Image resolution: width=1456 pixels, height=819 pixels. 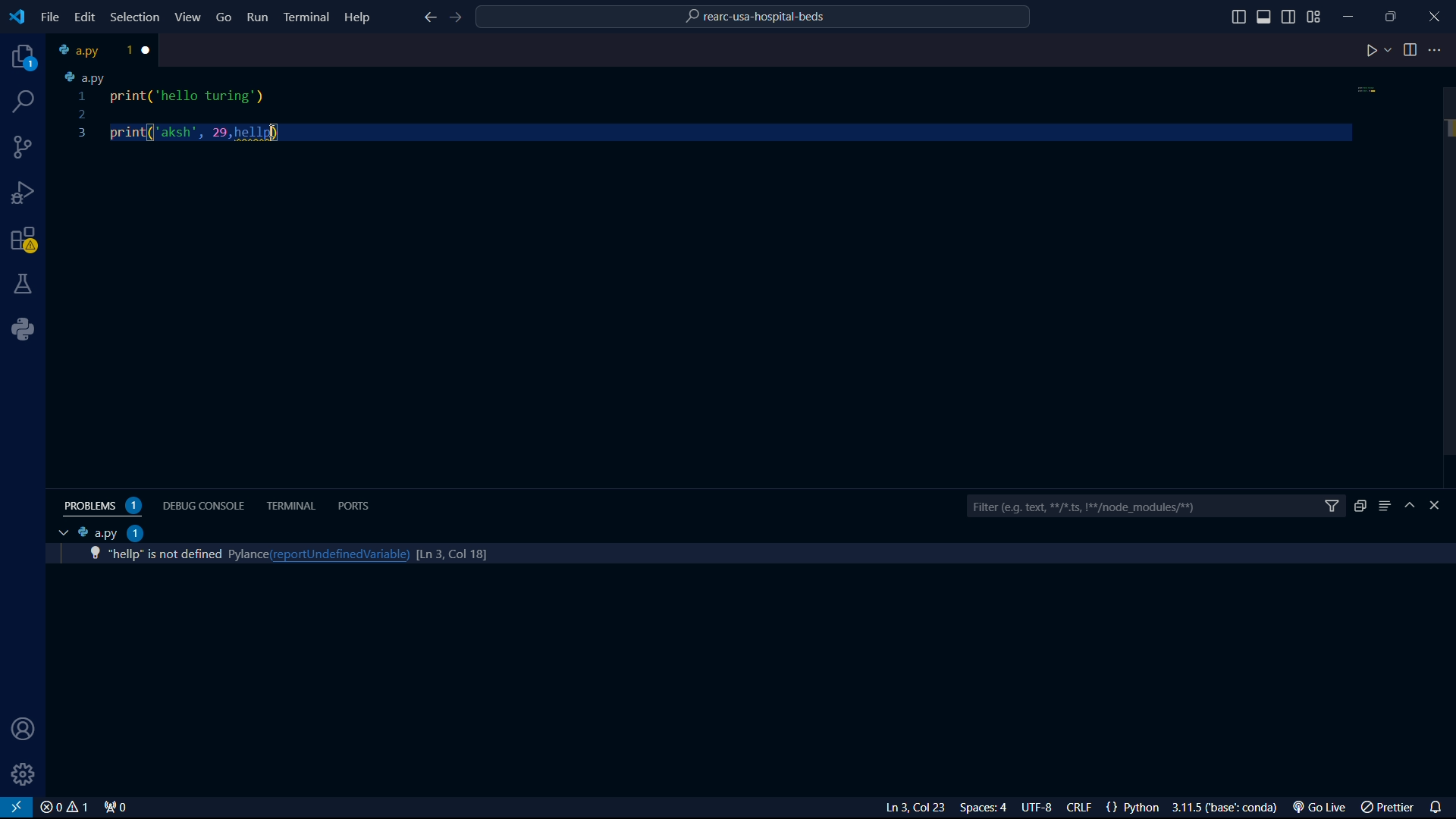 I want to click on Go, so click(x=224, y=16).